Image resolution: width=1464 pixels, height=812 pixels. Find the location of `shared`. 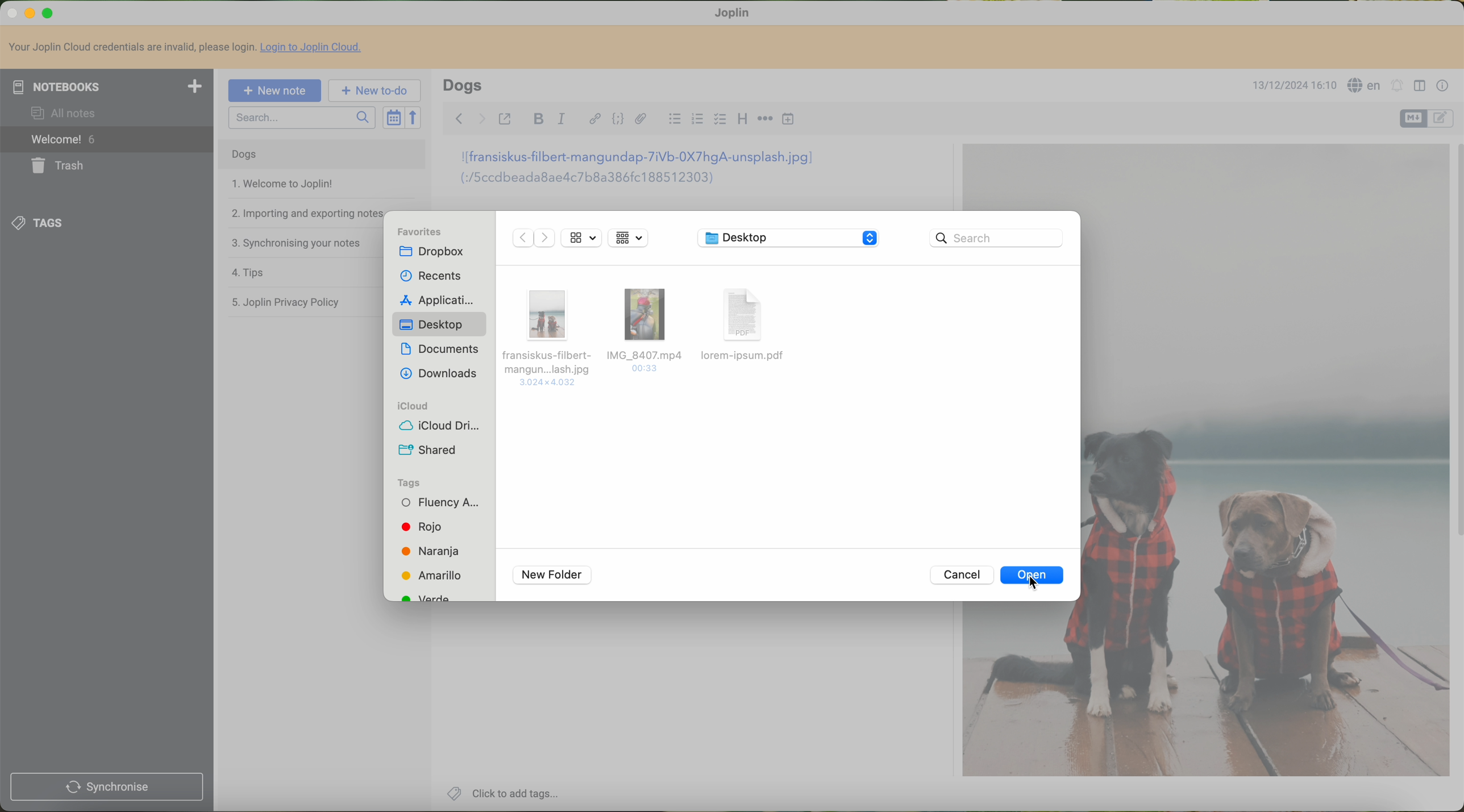

shared is located at coordinates (429, 451).